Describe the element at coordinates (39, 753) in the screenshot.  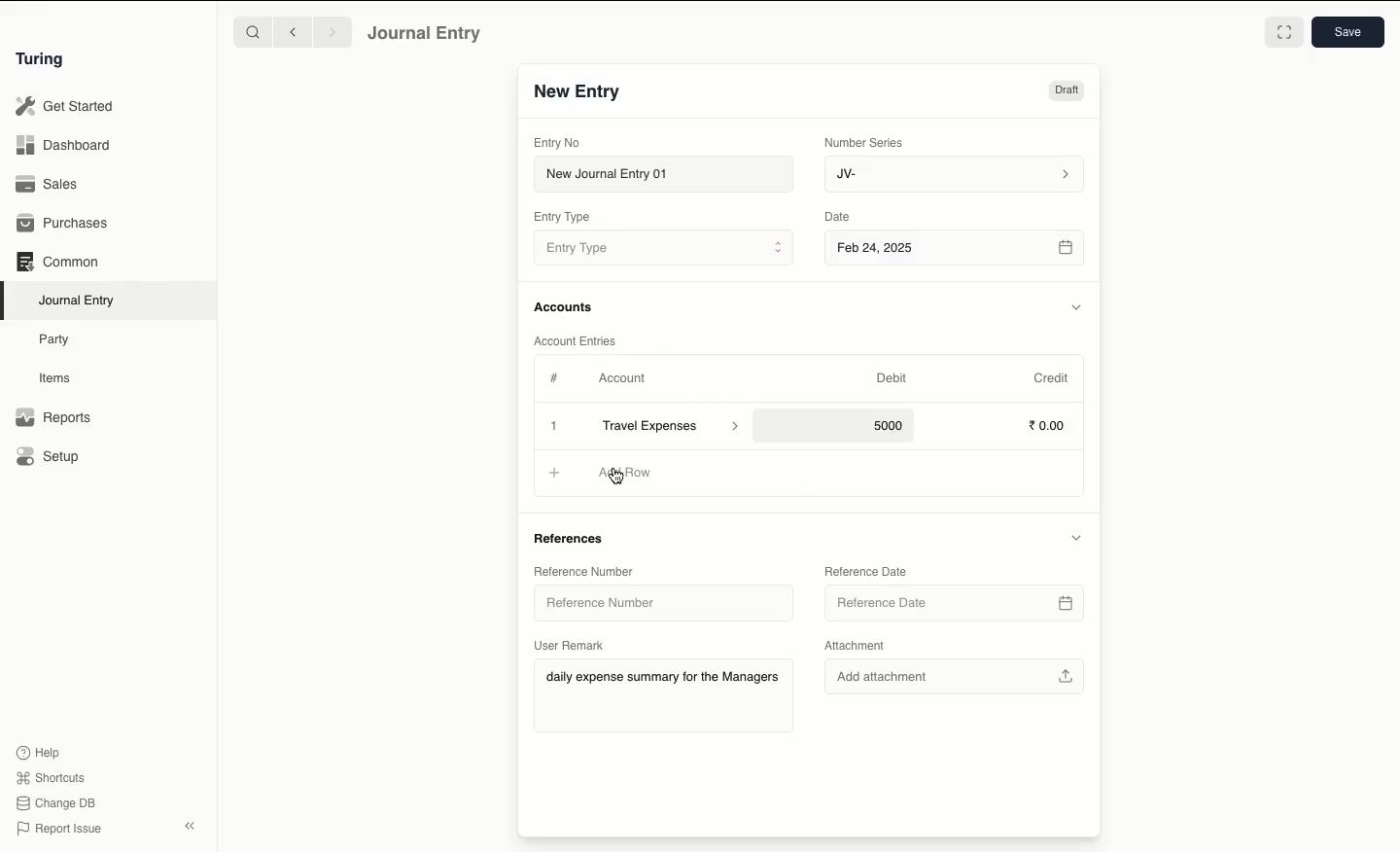
I see `Help` at that location.